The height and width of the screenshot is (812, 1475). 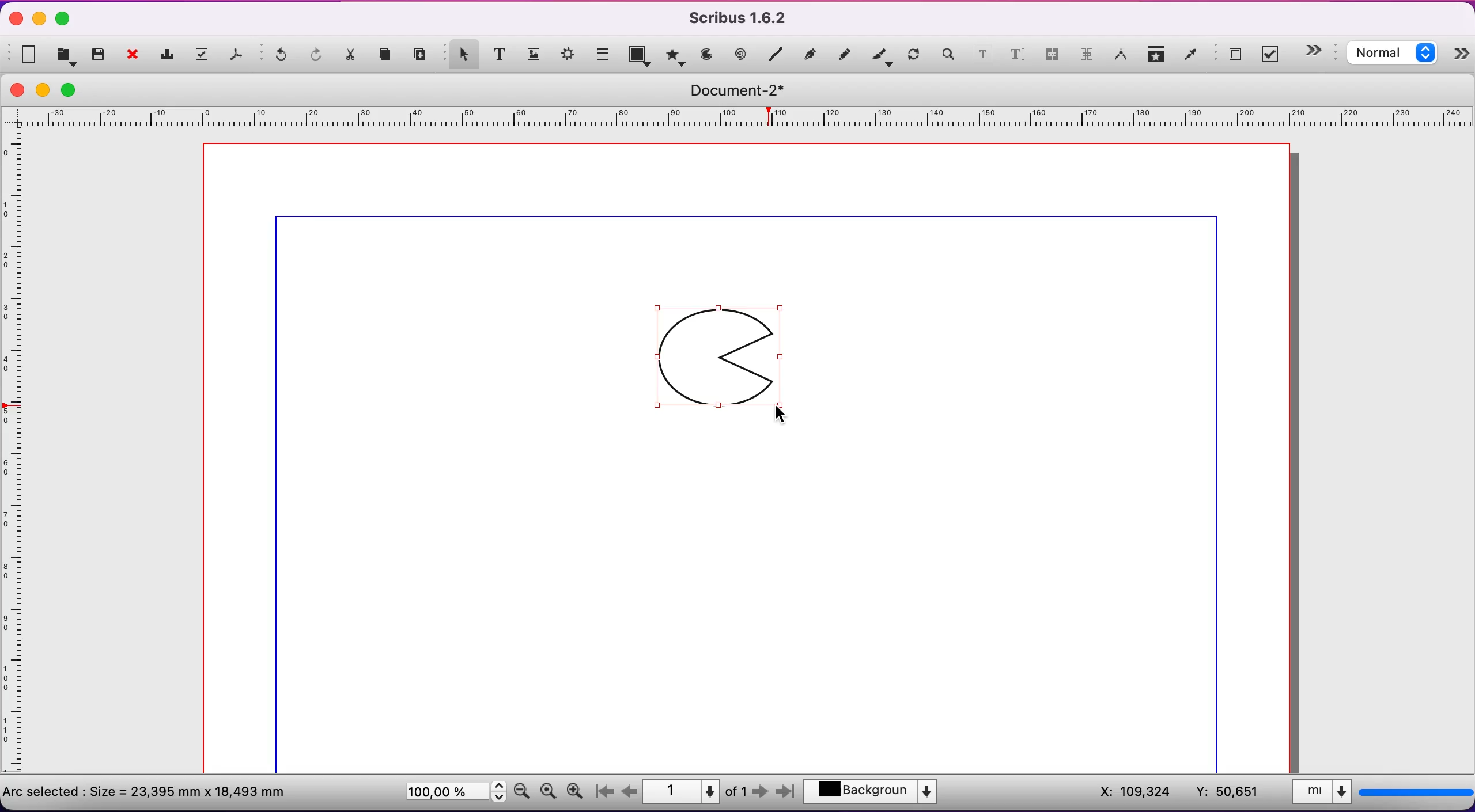 I want to click on close, so click(x=136, y=56).